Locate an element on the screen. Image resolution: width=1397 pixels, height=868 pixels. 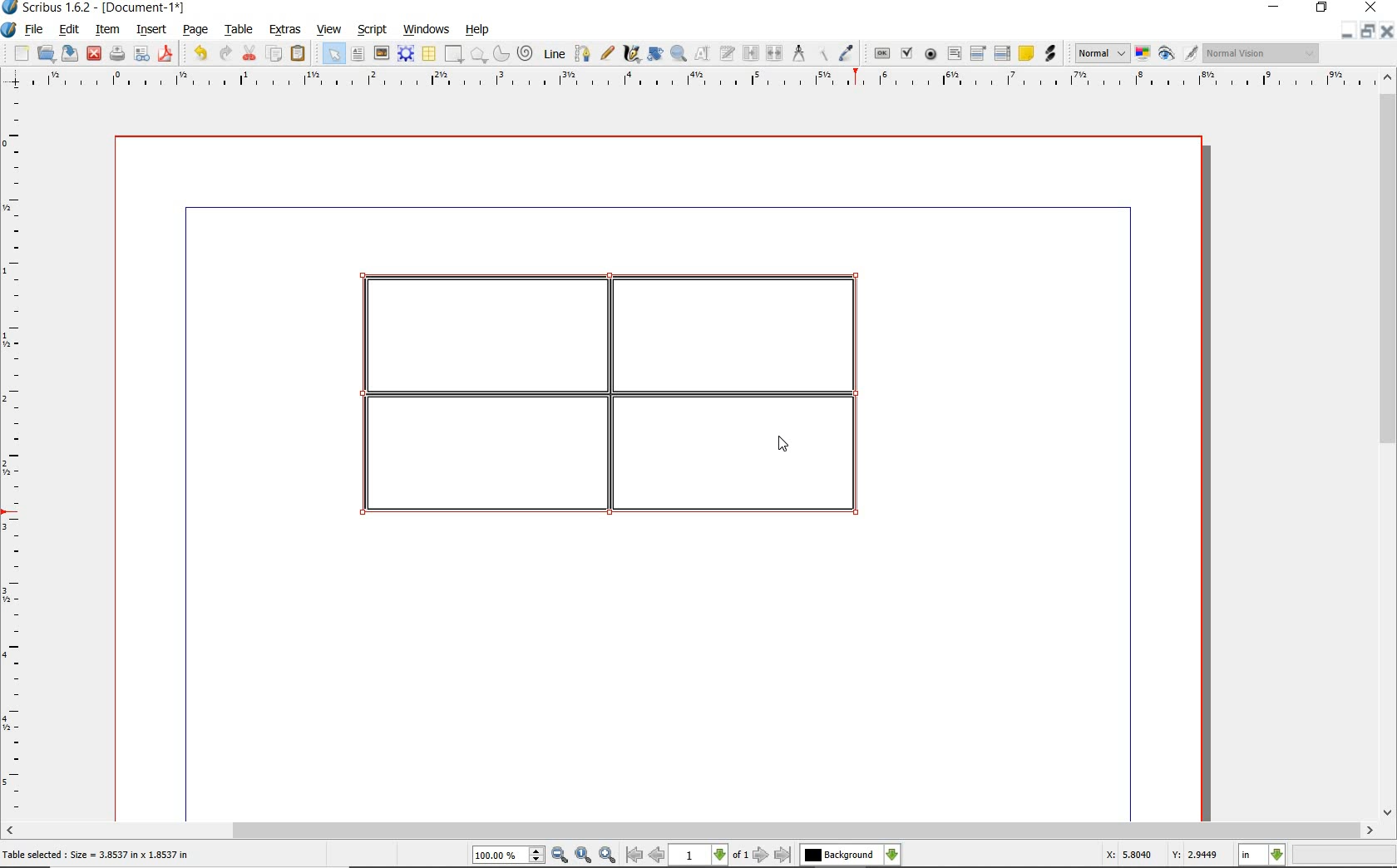
close is located at coordinates (93, 52).